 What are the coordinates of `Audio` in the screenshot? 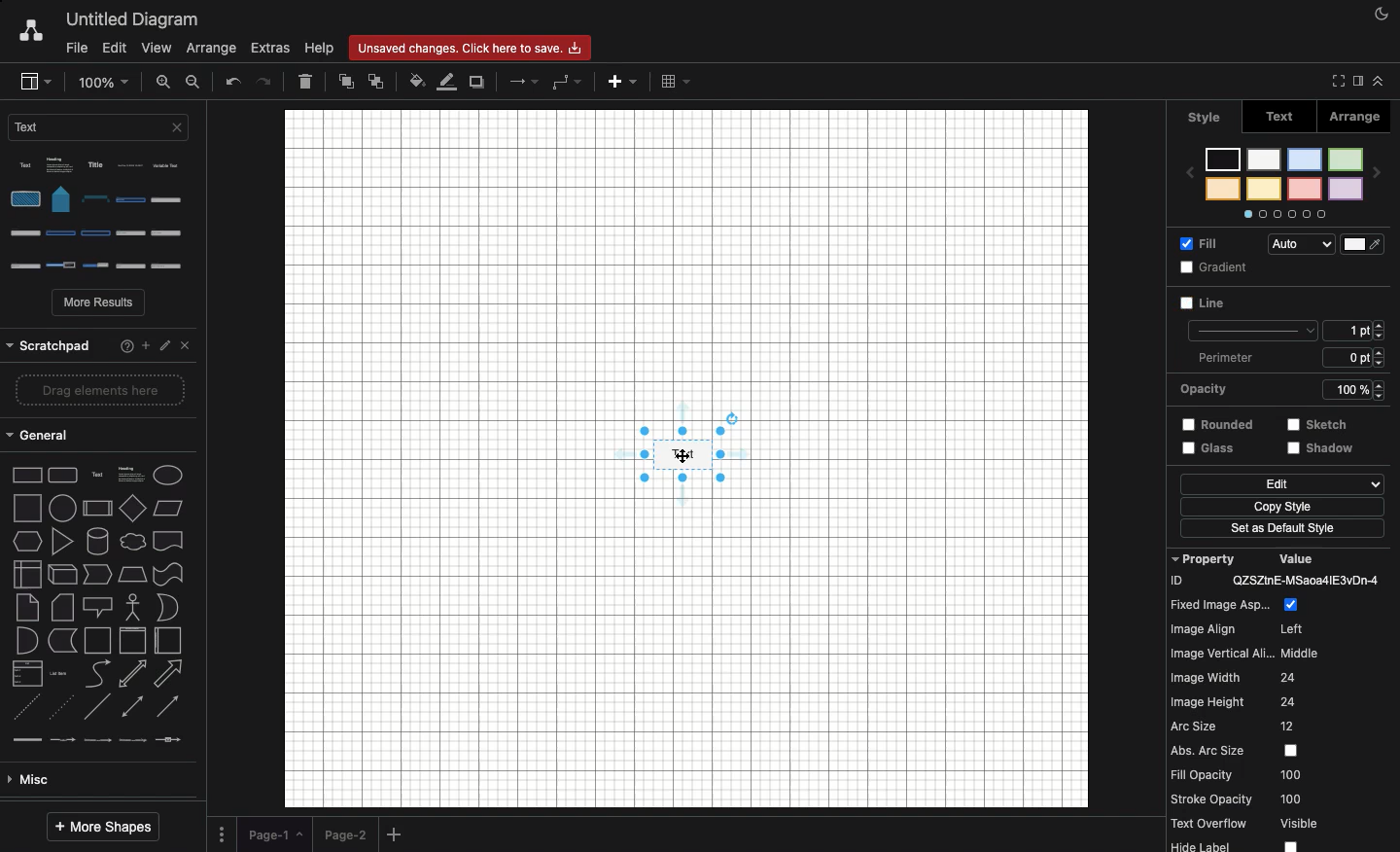 It's located at (1328, 241).